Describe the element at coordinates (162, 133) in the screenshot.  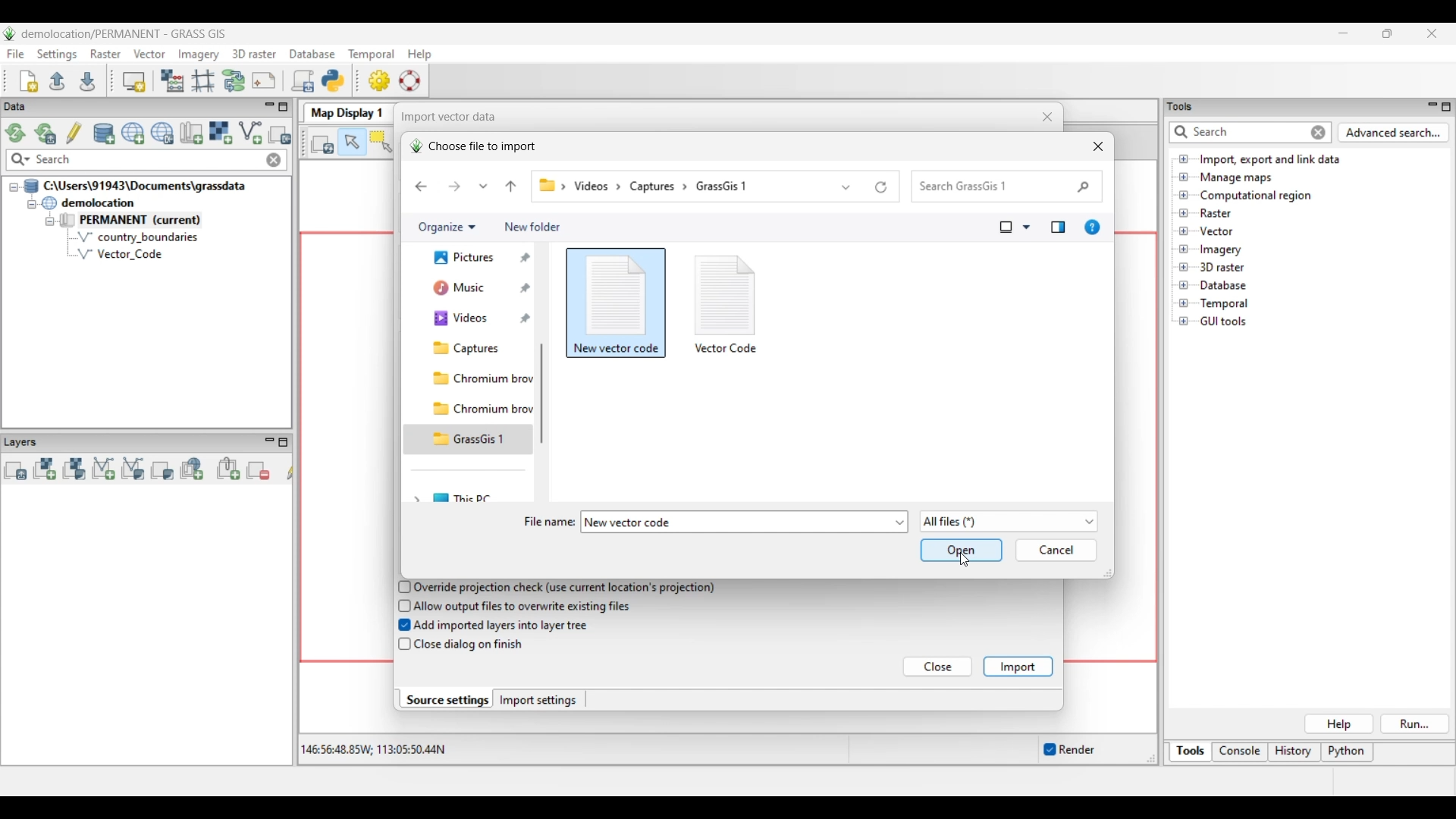
I see `Download sample project (location) to current GRASS database` at that location.